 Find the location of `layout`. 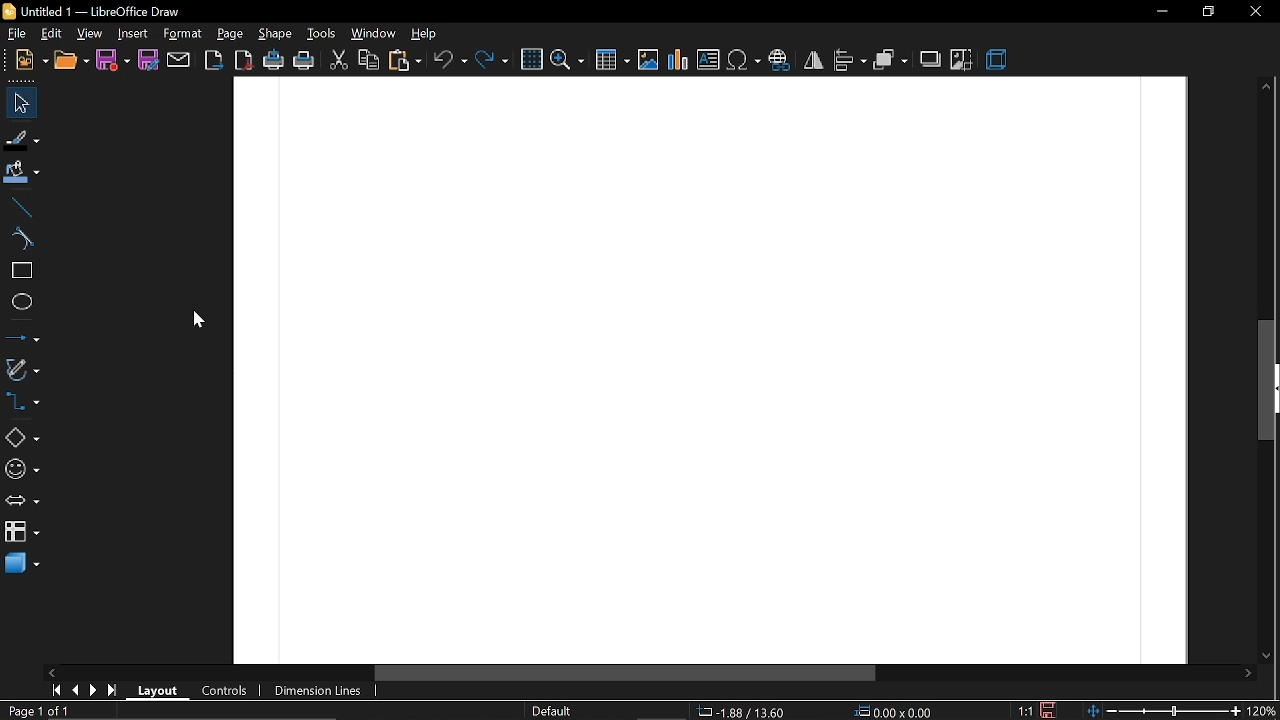

layout is located at coordinates (157, 692).